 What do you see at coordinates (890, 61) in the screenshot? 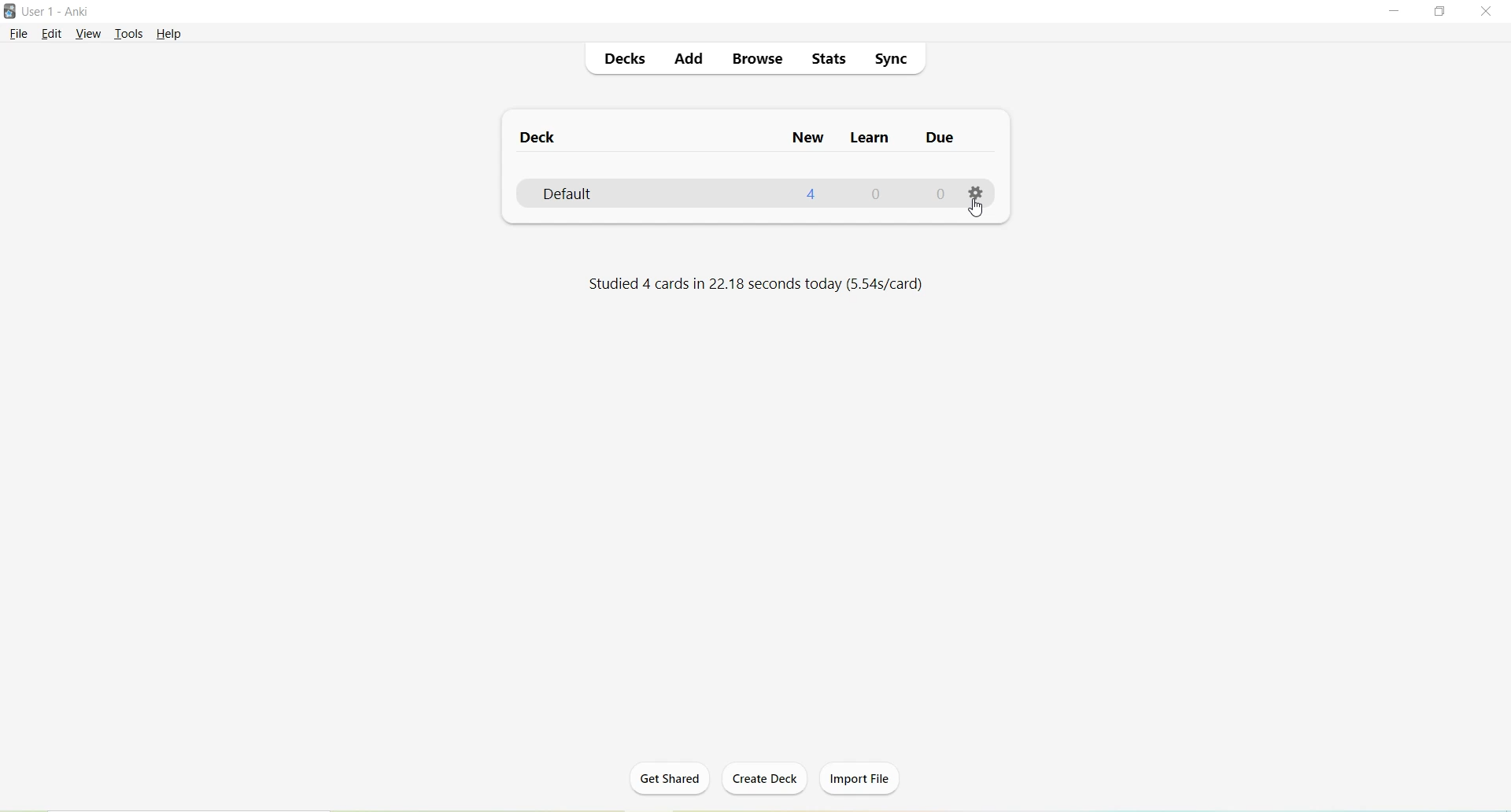
I see `Sync` at bounding box center [890, 61].